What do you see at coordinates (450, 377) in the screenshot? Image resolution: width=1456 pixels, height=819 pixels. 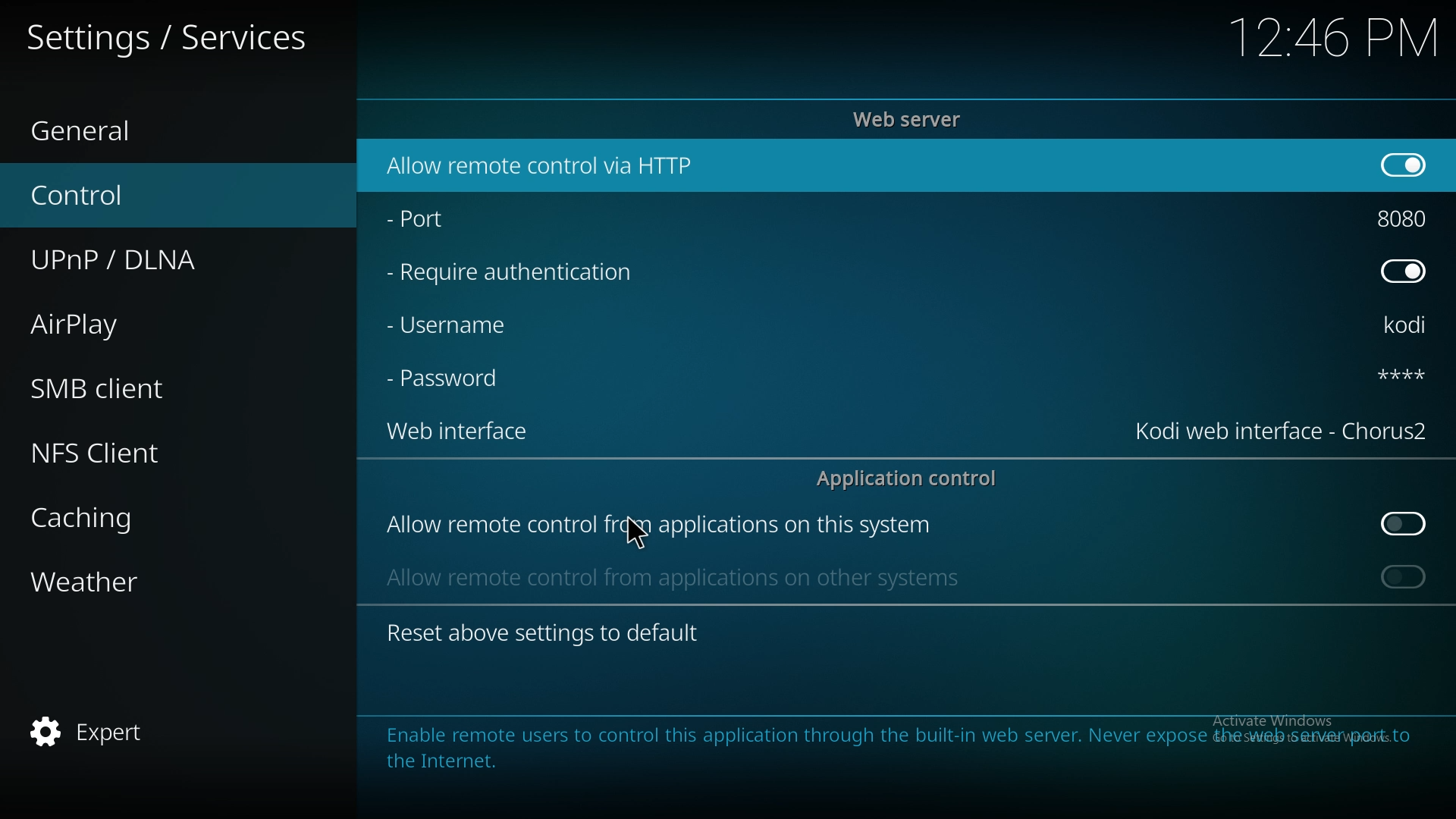 I see `password` at bounding box center [450, 377].